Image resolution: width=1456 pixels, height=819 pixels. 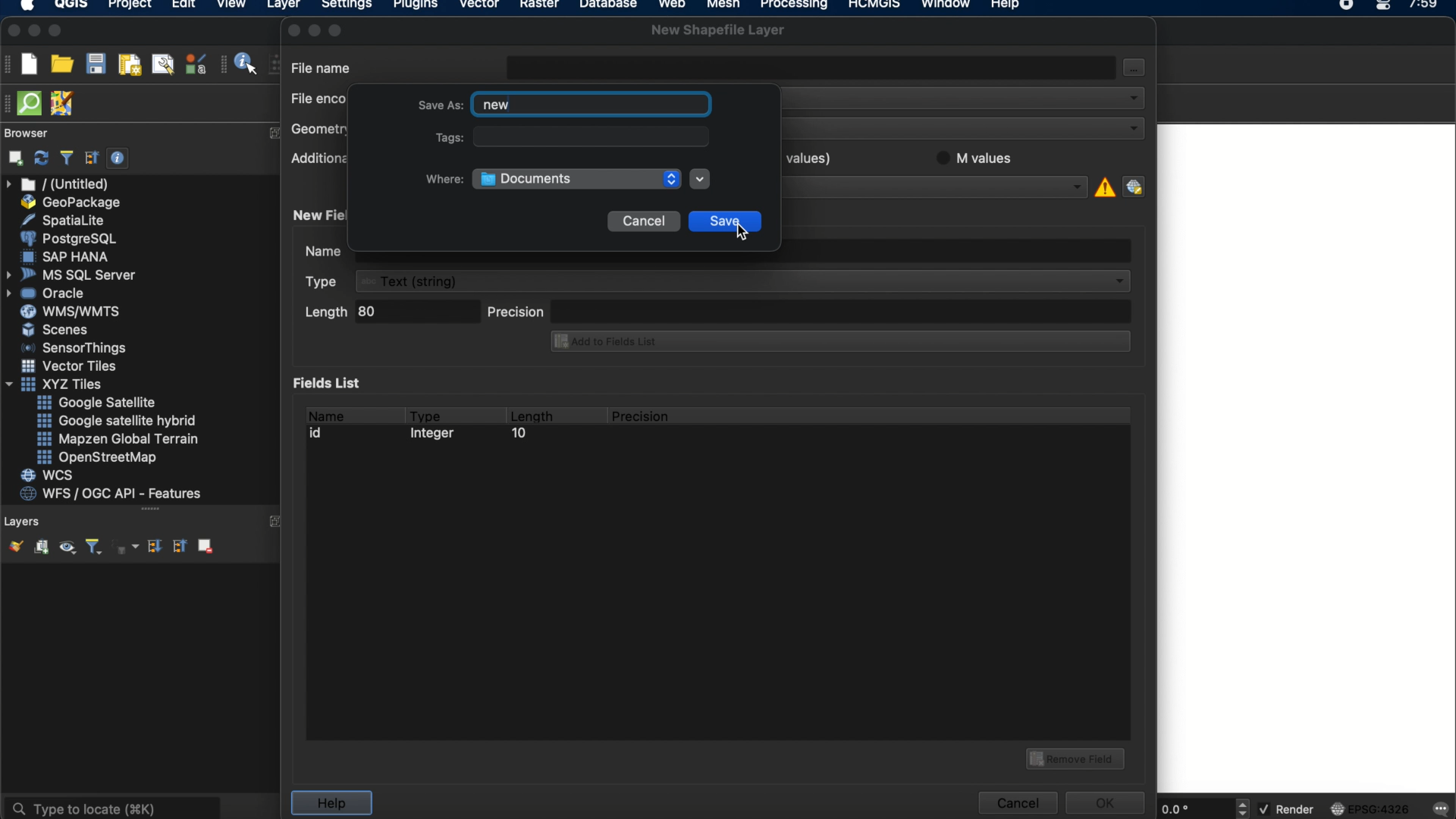 I want to click on vector, so click(x=480, y=6).